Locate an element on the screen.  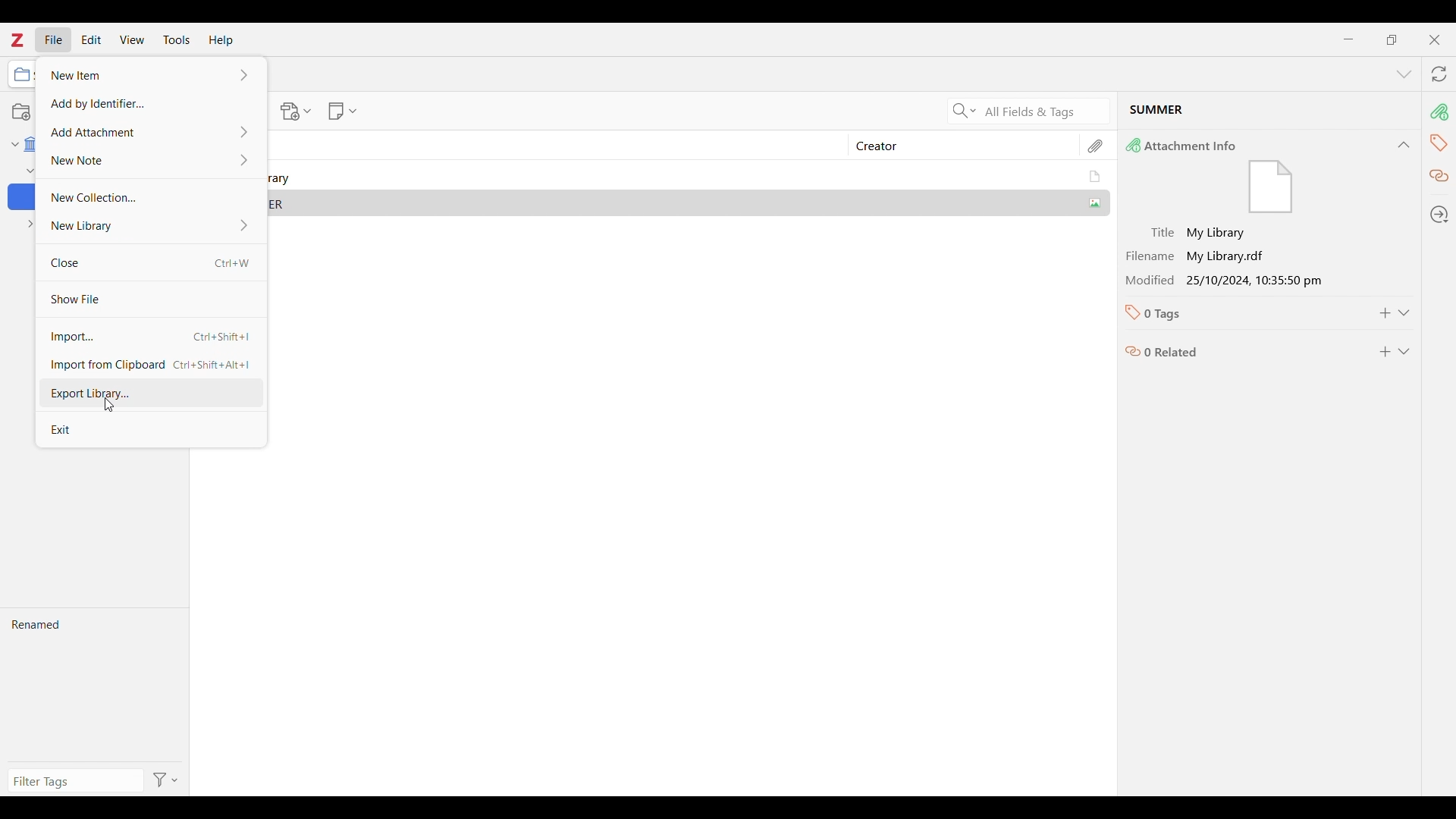
Locate is located at coordinates (1440, 214).